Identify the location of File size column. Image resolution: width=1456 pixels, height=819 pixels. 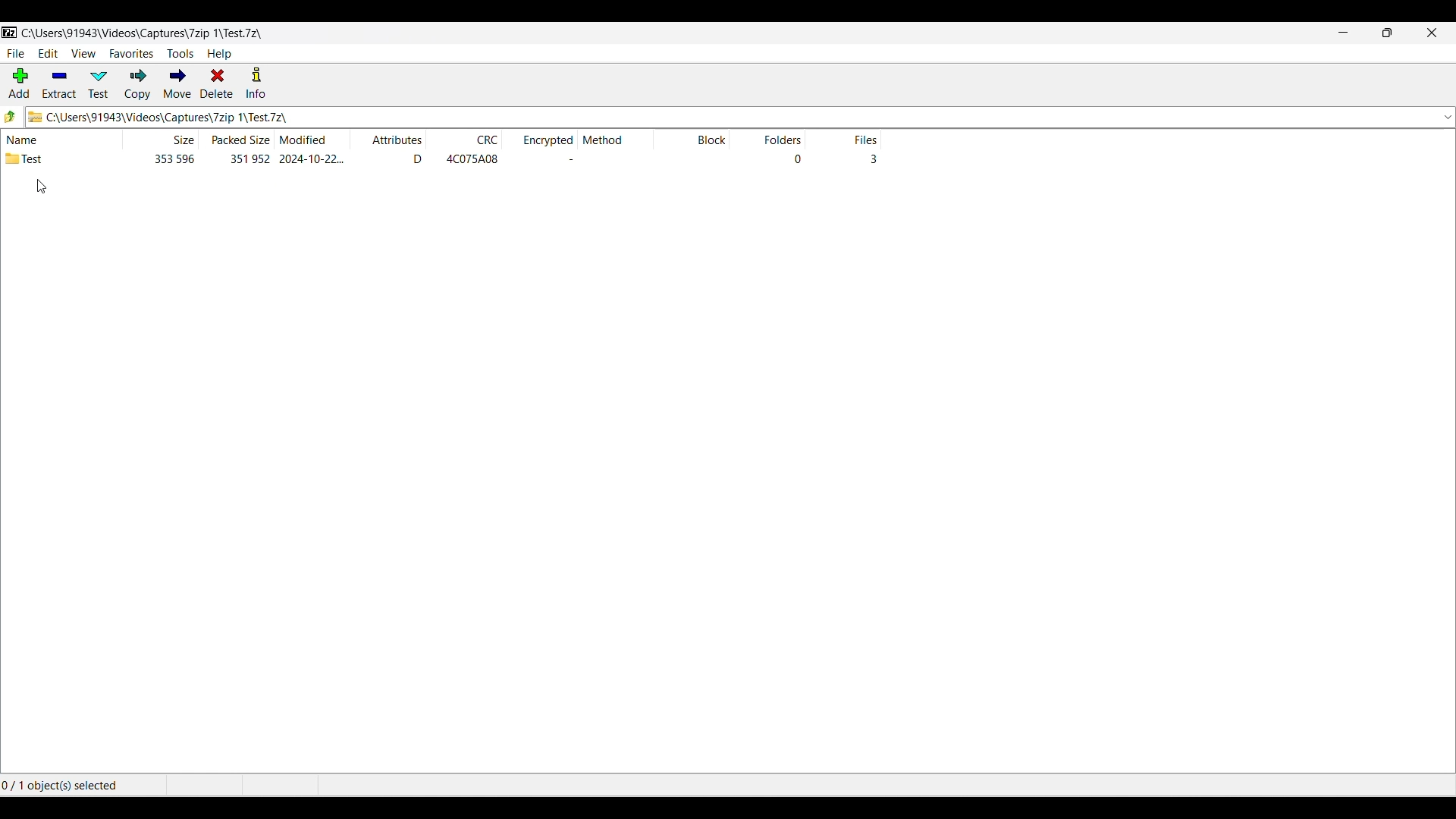
(172, 139).